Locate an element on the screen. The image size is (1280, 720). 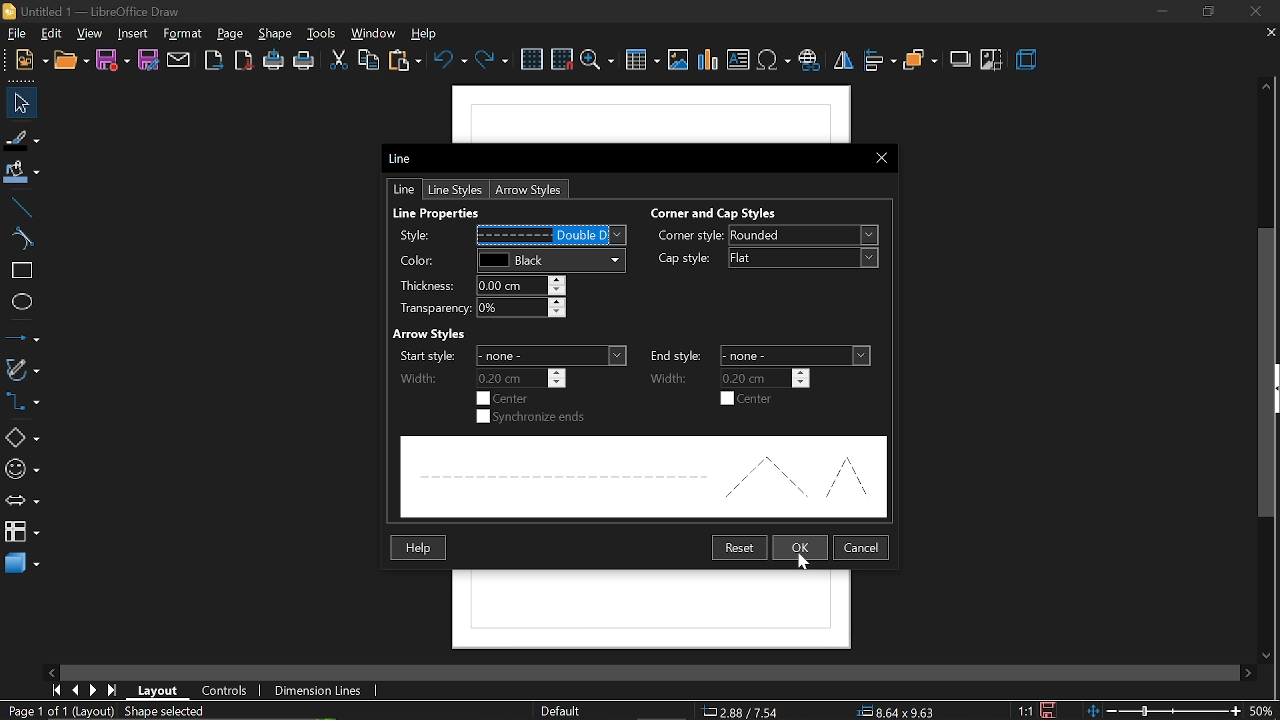
go to last page is located at coordinates (114, 691).